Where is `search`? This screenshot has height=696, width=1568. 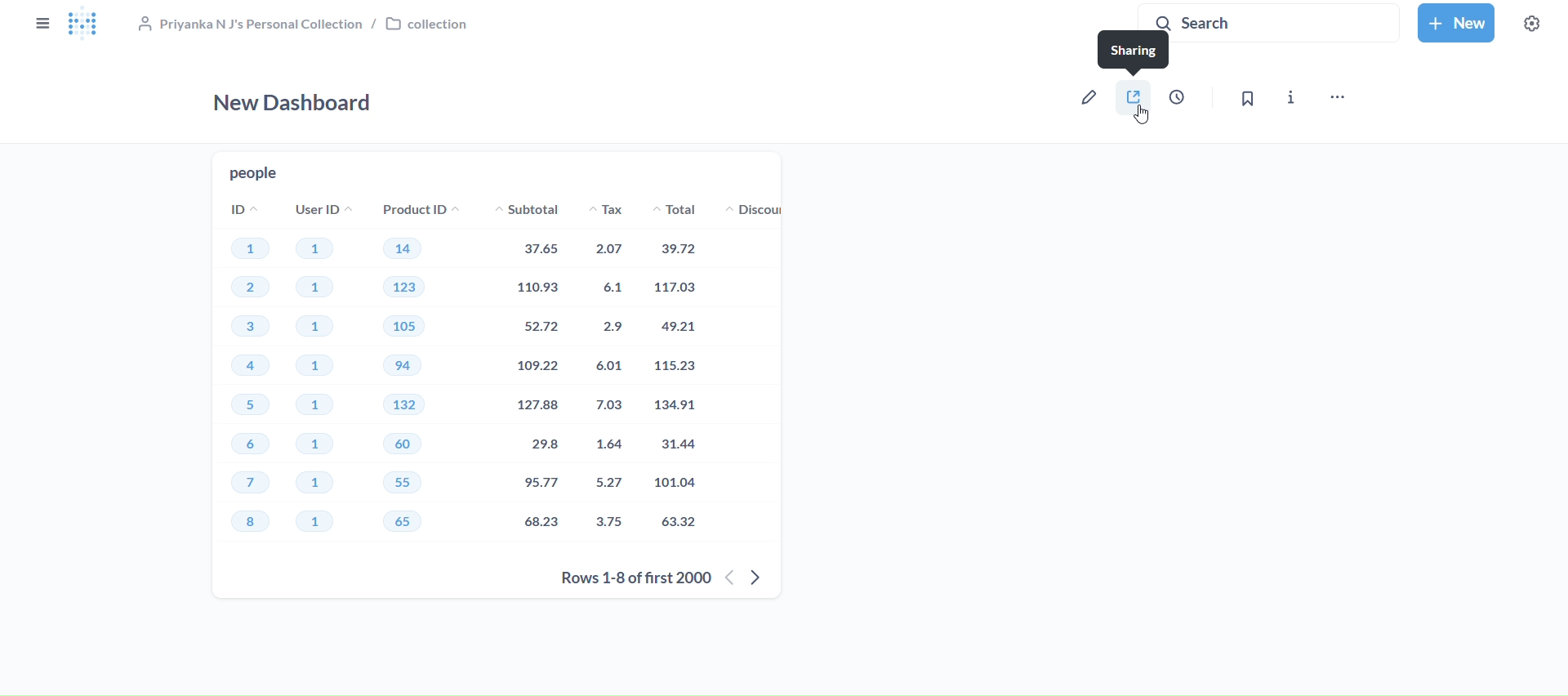
search is located at coordinates (1271, 22).